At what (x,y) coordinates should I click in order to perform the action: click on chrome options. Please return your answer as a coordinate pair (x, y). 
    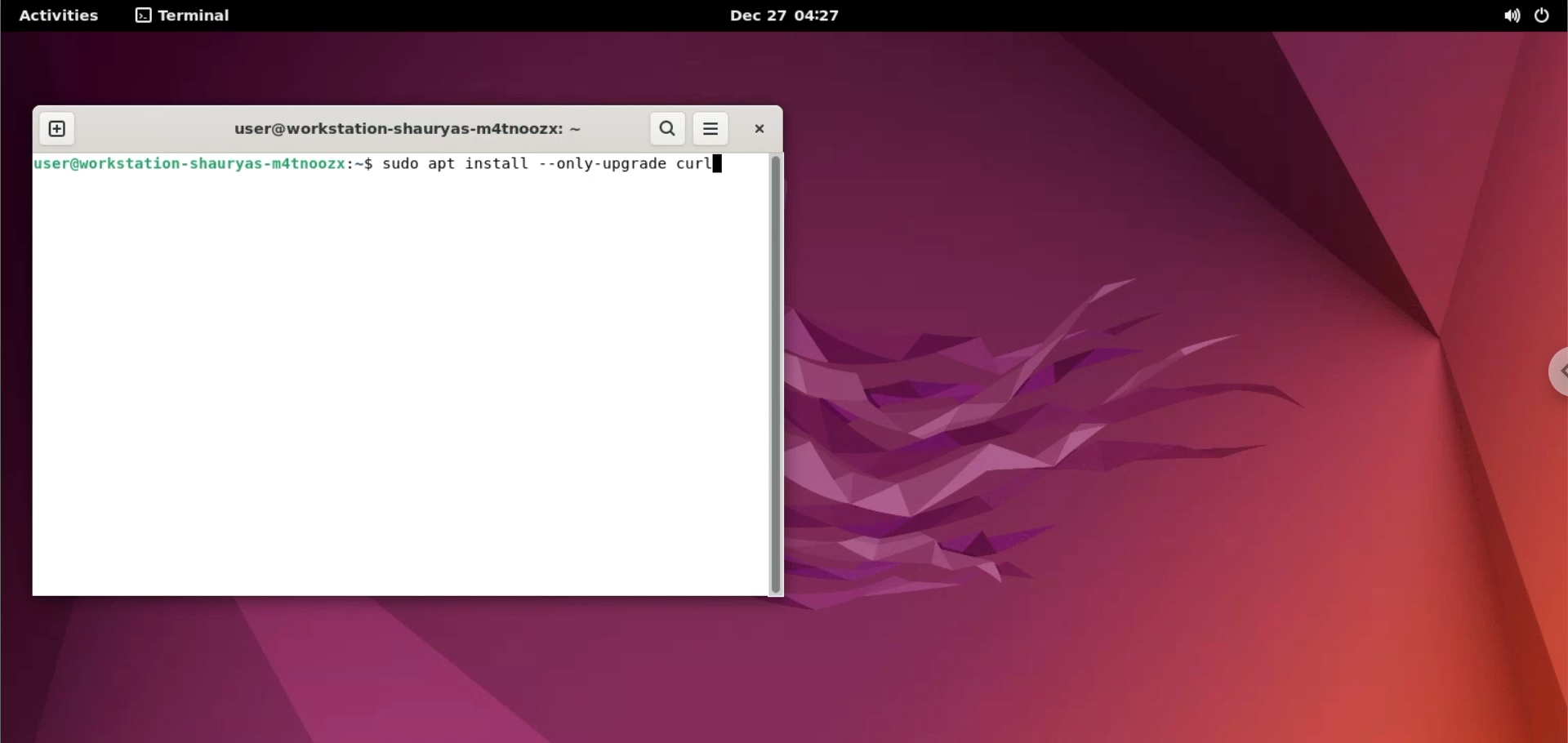
    Looking at the image, I should click on (1552, 372).